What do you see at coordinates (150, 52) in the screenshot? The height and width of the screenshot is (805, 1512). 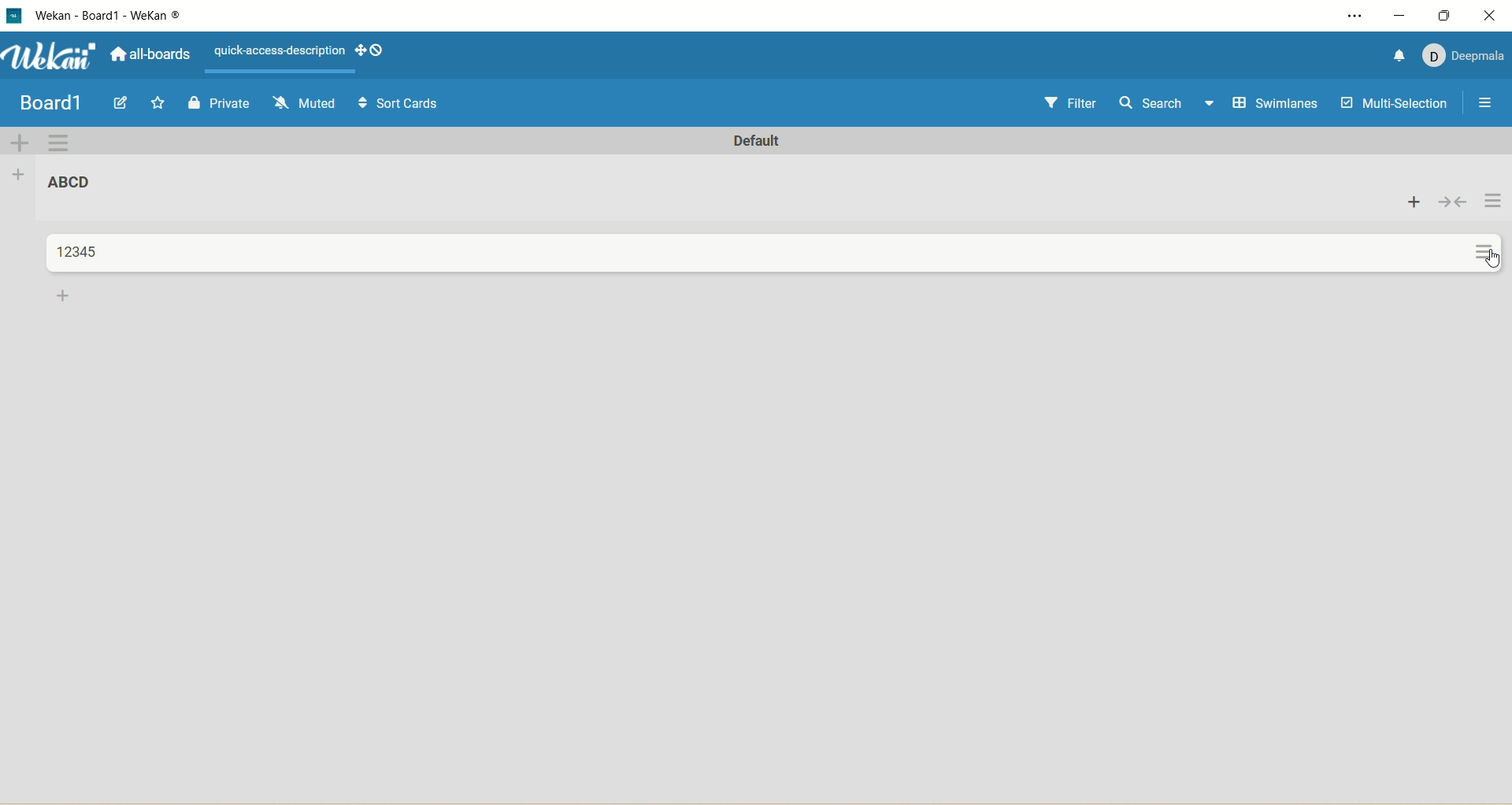 I see `all boards` at bounding box center [150, 52].